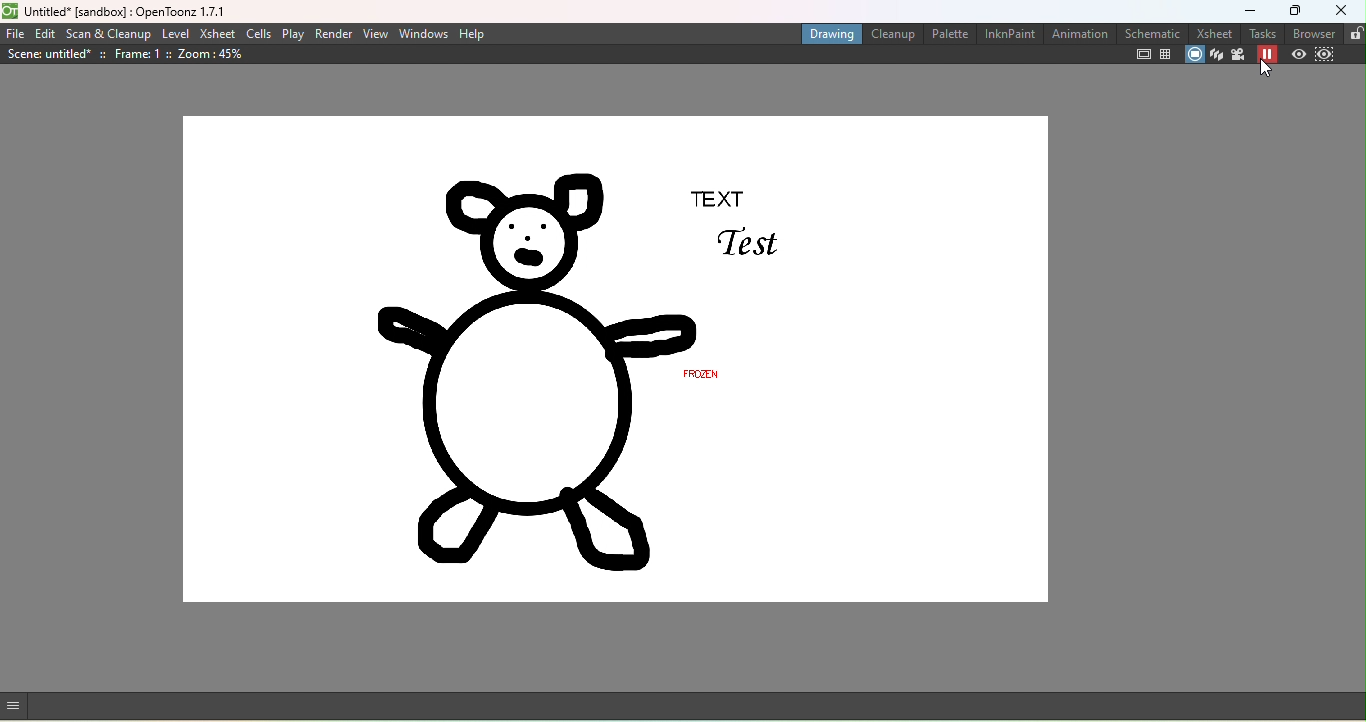  Describe the element at coordinates (15, 33) in the screenshot. I see `File` at that location.